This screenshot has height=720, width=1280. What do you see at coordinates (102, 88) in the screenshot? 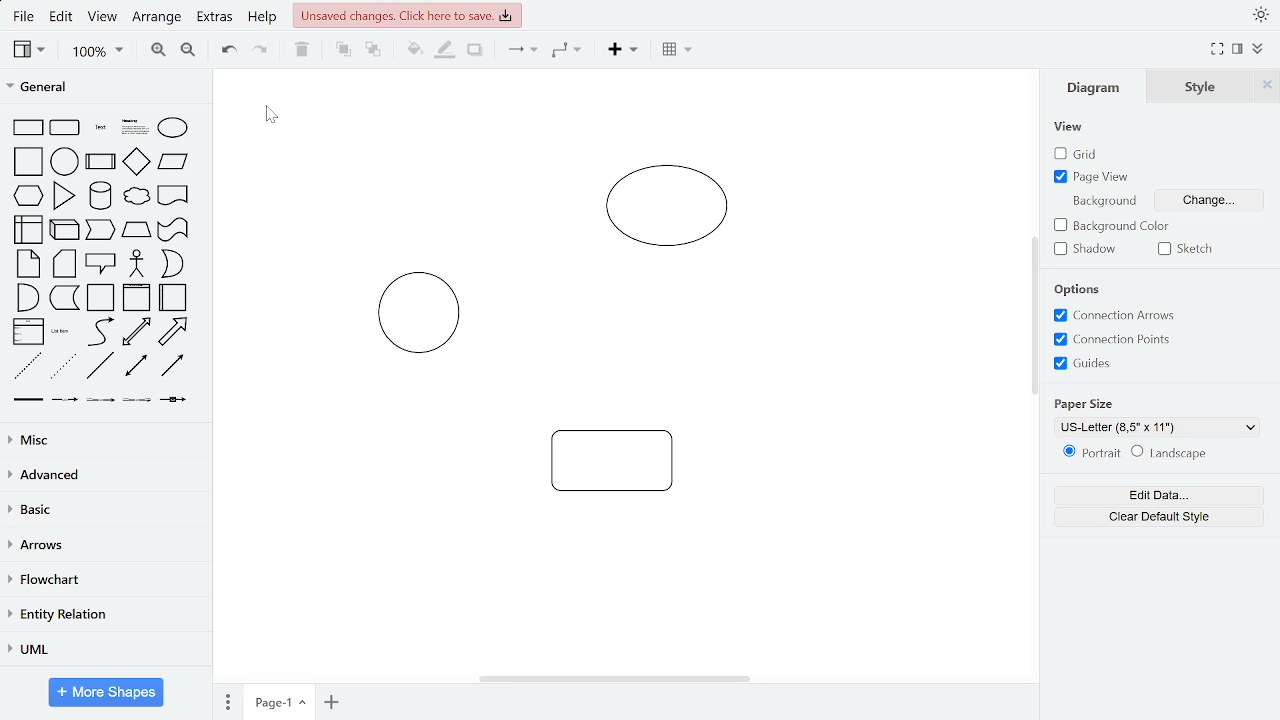
I see `general` at bounding box center [102, 88].